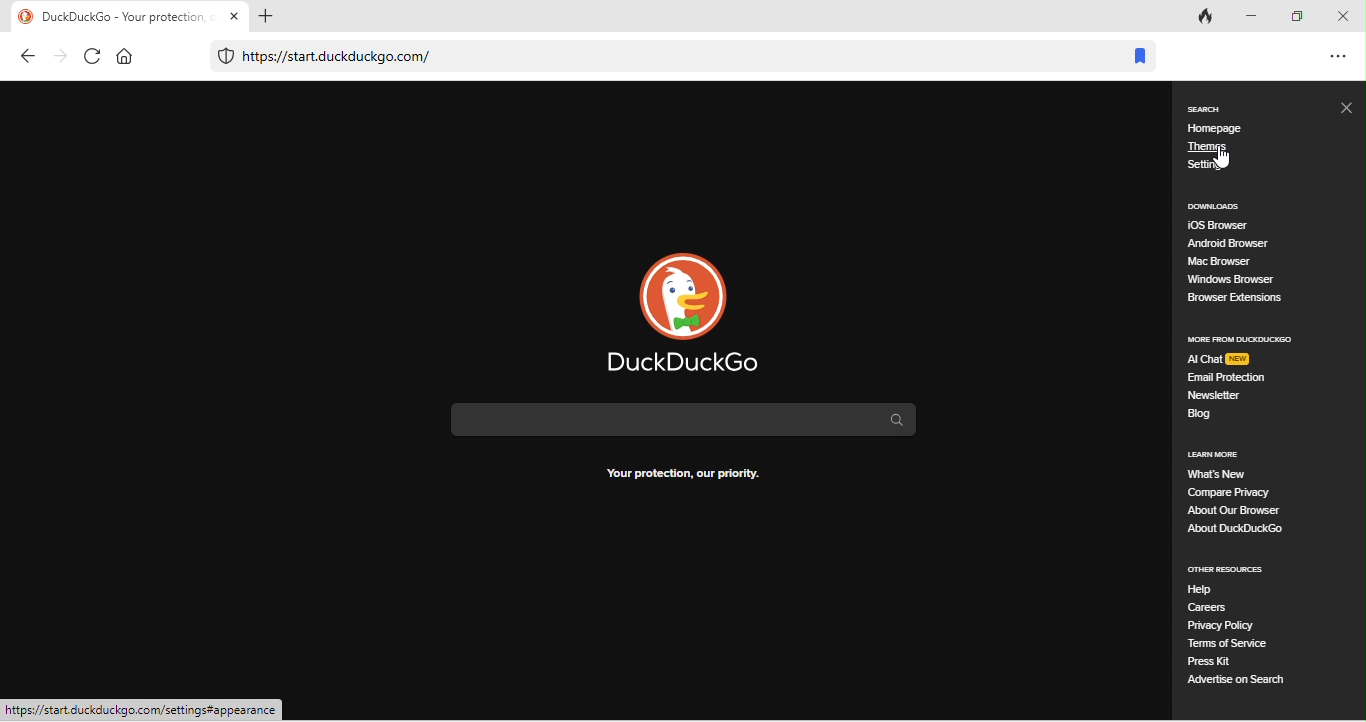  I want to click on ios browser, so click(1219, 223).